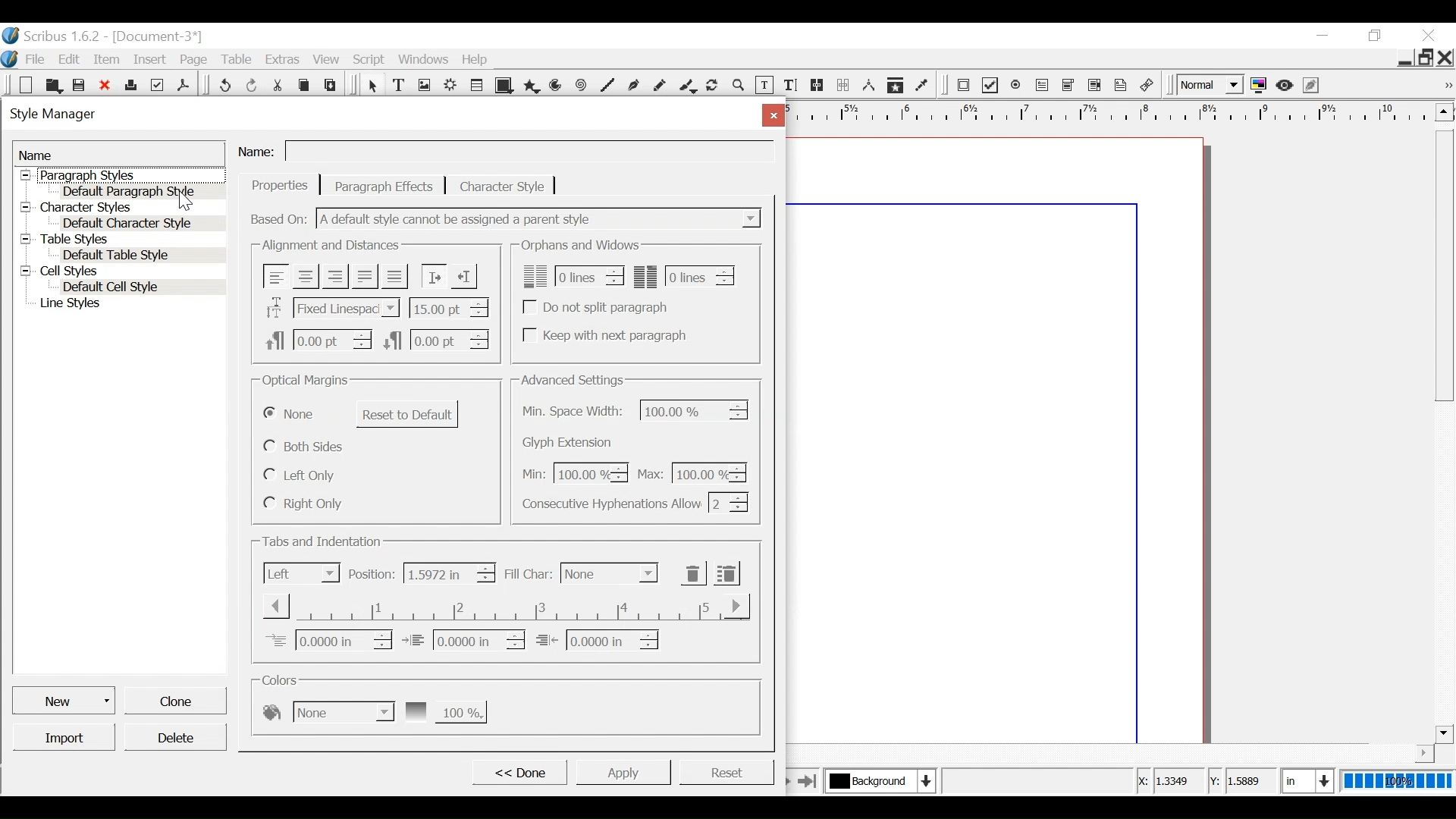 Image resolution: width=1456 pixels, height=819 pixels. What do you see at coordinates (394, 277) in the screenshot?
I see `Align Forced Justified` at bounding box center [394, 277].